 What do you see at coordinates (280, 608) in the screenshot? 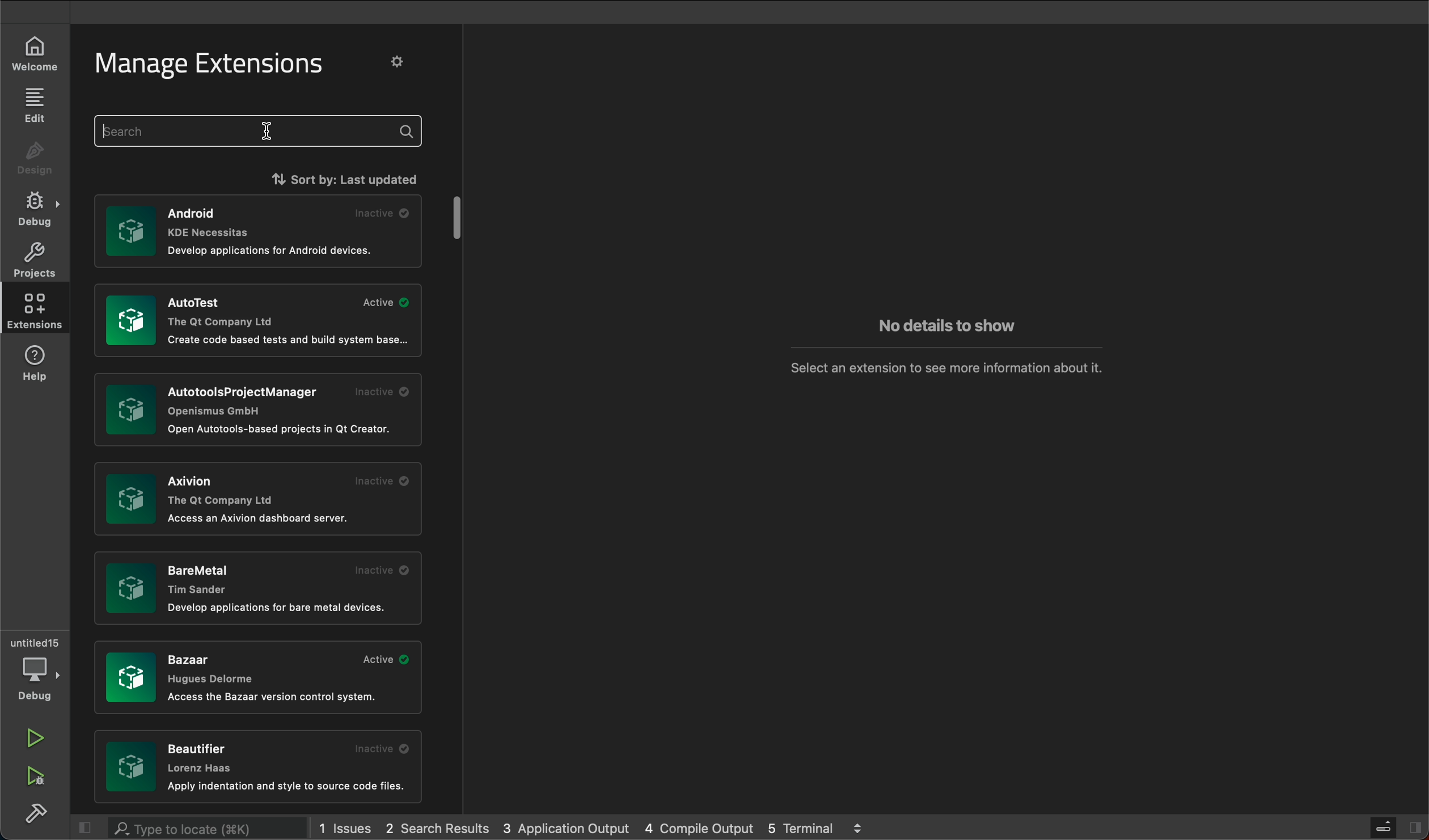
I see `extension text` at bounding box center [280, 608].